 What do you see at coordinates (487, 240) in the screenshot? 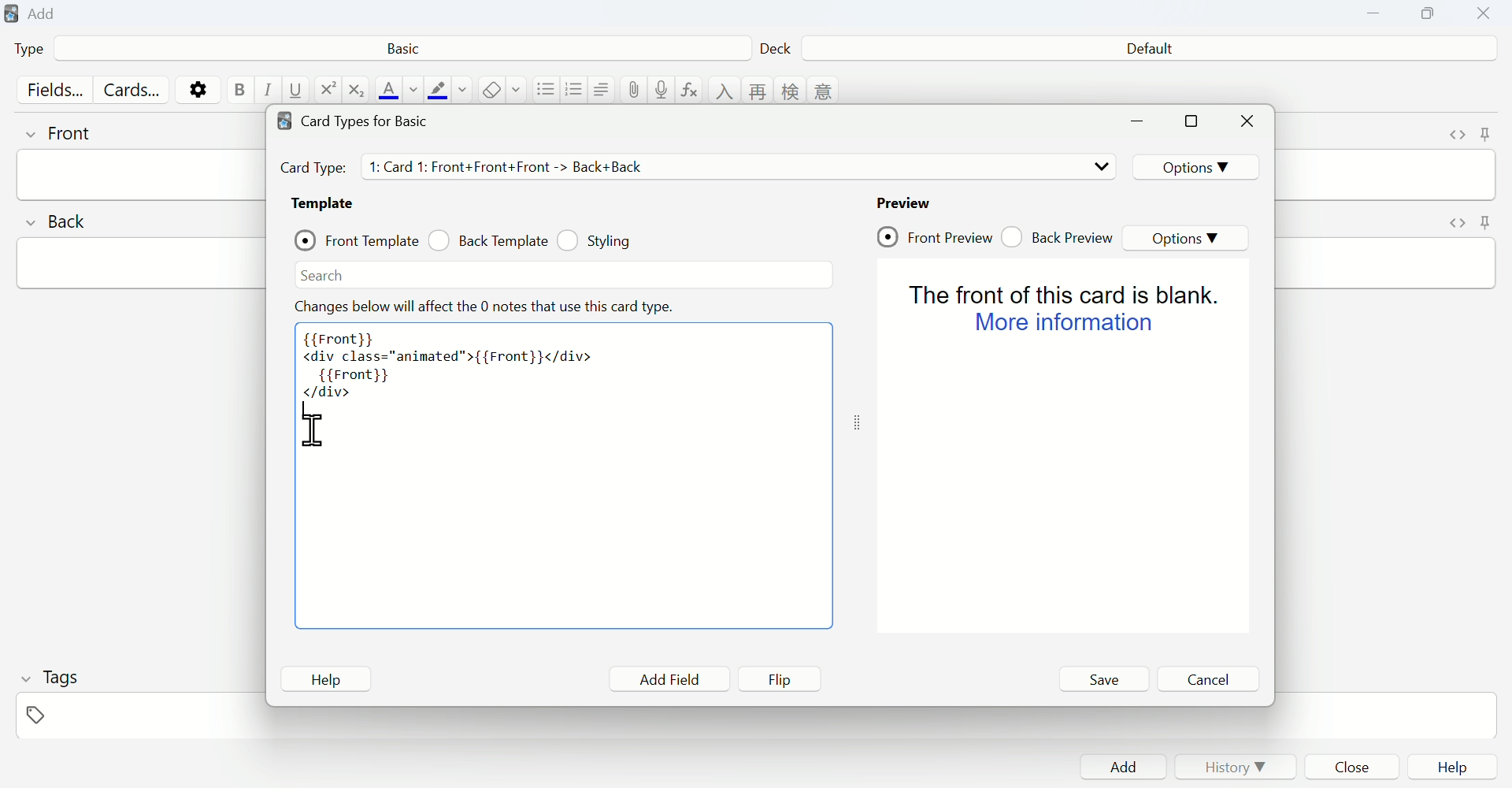
I see `Back Template` at bounding box center [487, 240].